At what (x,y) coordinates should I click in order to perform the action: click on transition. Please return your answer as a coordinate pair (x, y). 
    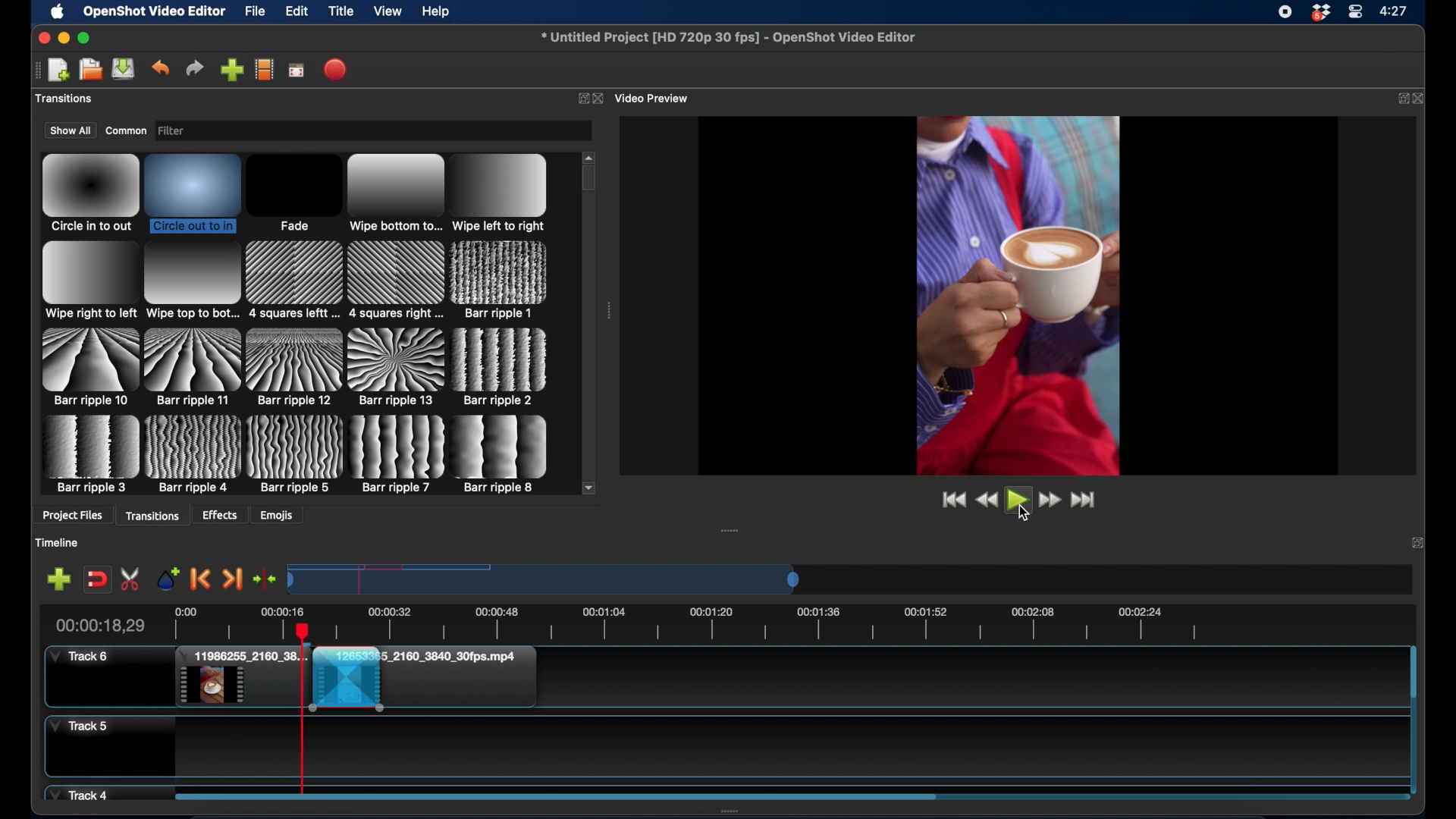
    Looking at the image, I should click on (500, 192).